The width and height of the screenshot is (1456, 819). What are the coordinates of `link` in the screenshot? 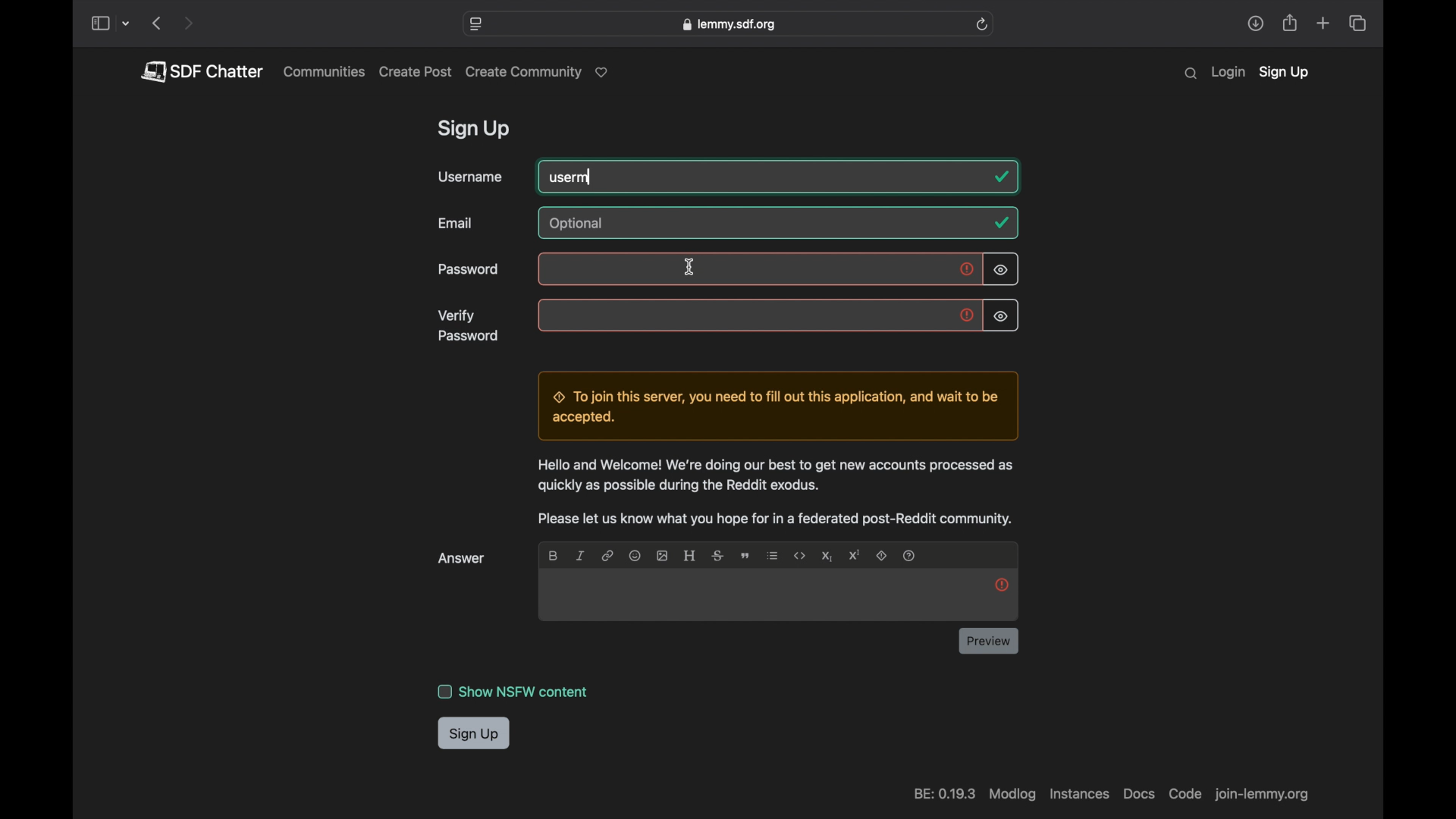 It's located at (607, 555).